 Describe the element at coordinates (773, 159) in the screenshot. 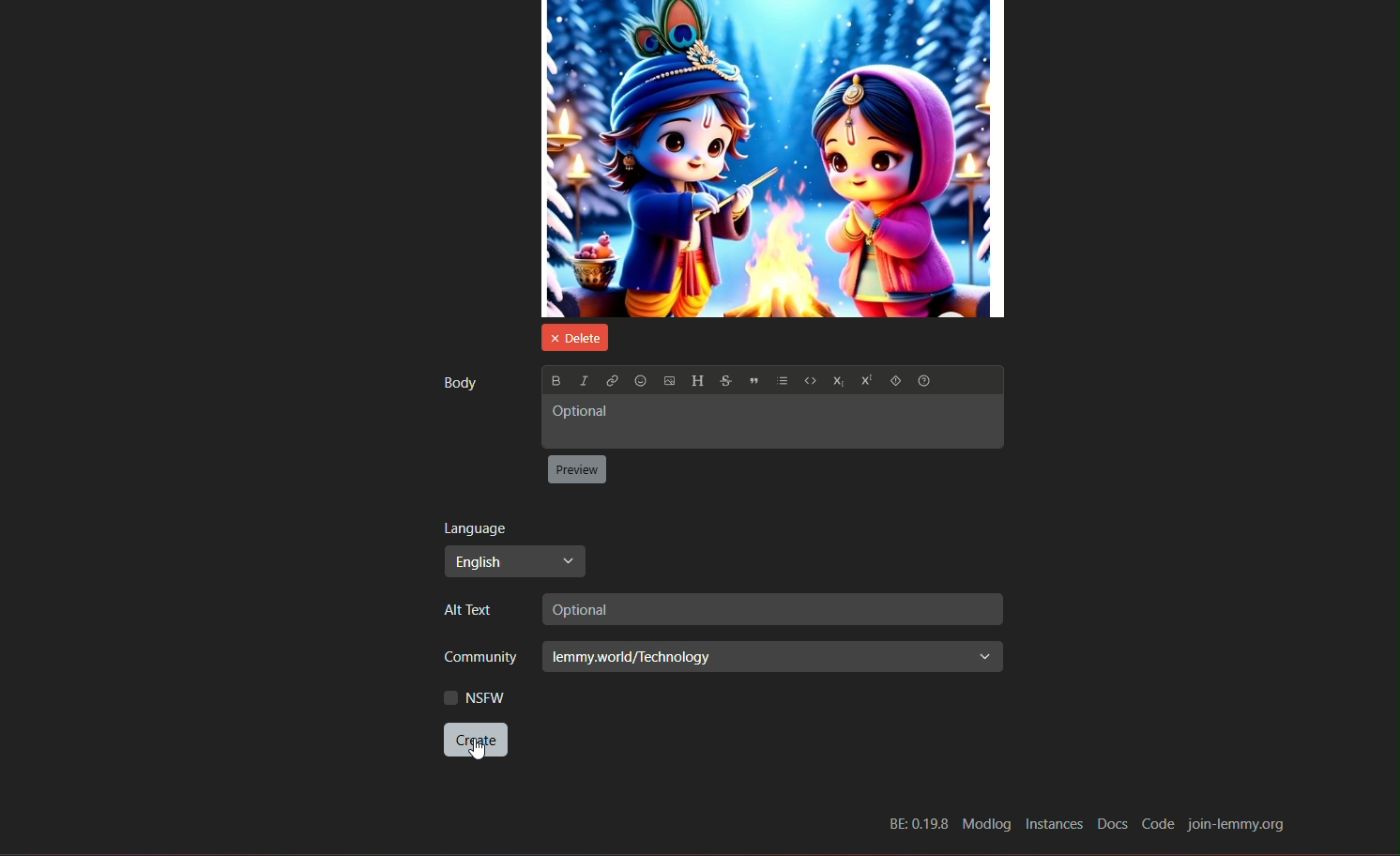

I see `image` at that location.